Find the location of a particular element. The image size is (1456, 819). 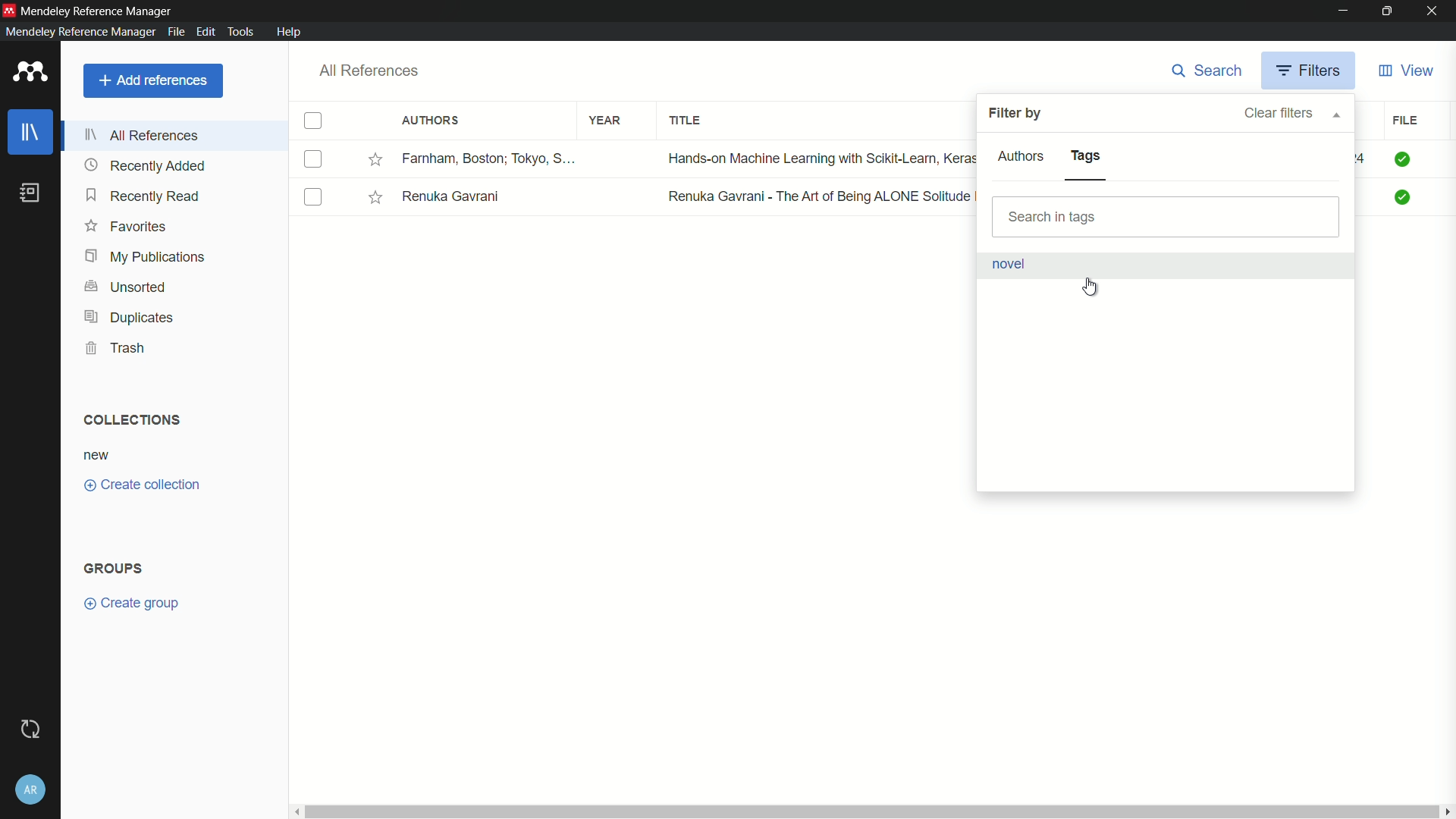

Starred is located at coordinates (376, 197).